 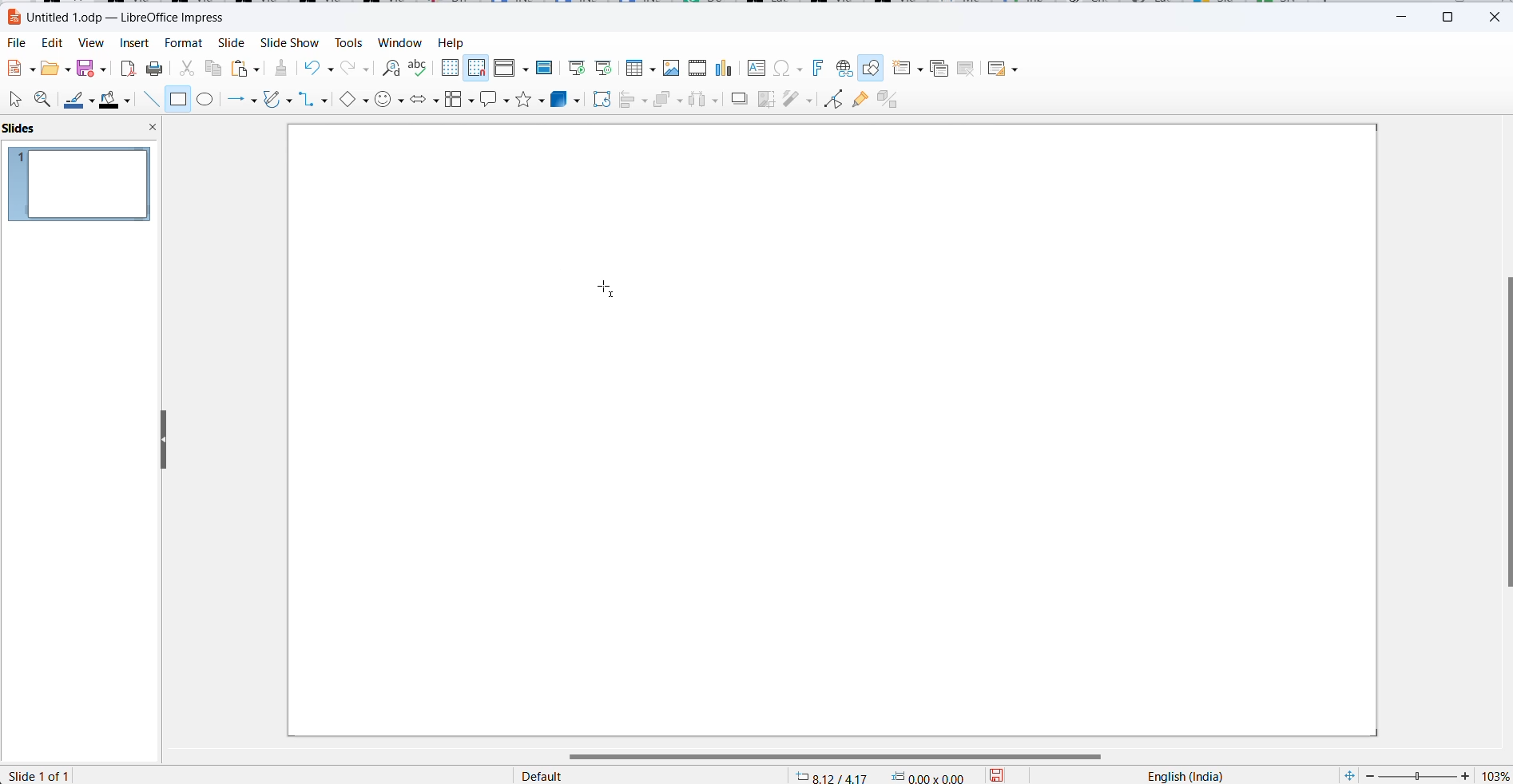 What do you see at coordinates (78, 102) in the screenshot?
I see `line` at bounding box center [78, 102].